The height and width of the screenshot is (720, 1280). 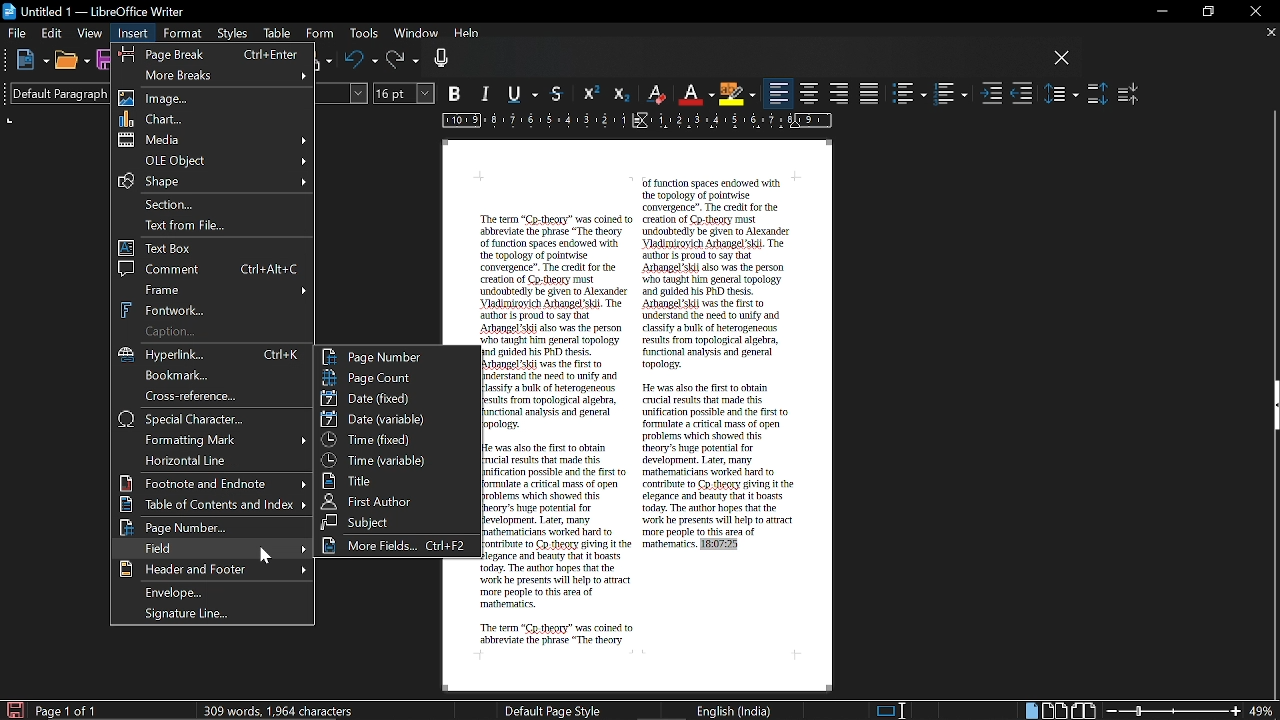 What do you see at coordinates (667, 546) in the screenshot?
I see `mathematics` at bounding box center [667, 546].